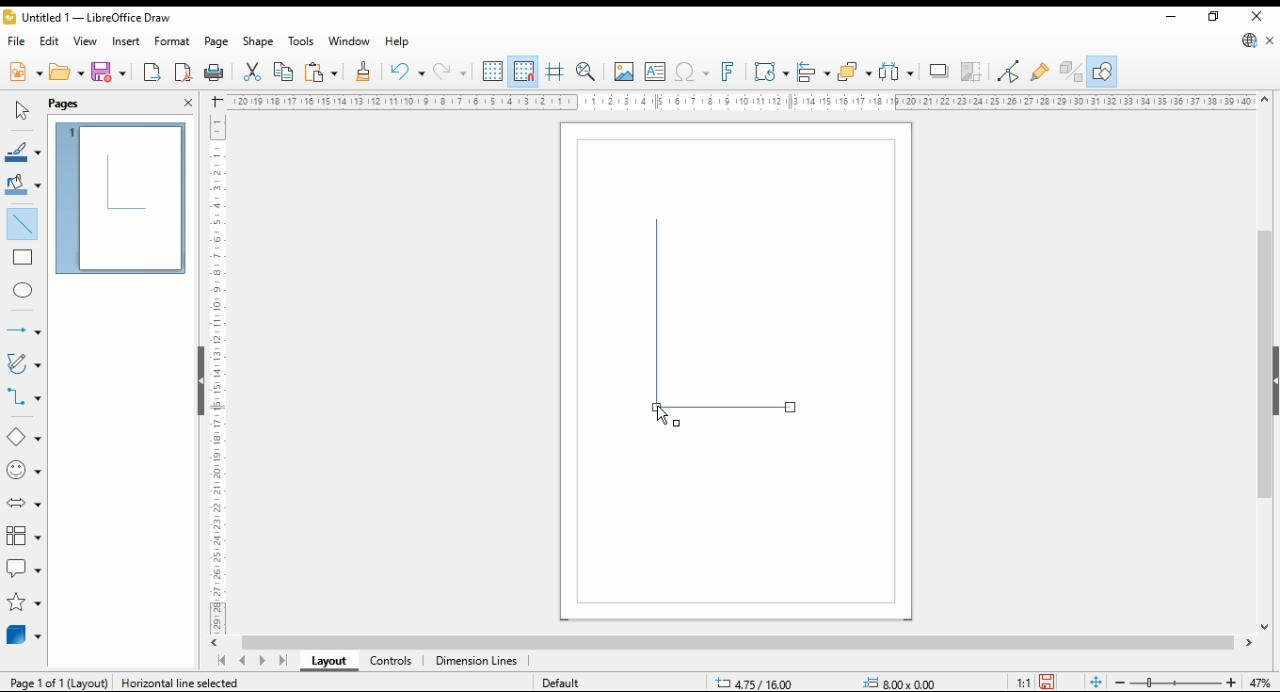  Describe the element at coordinates (198, 379) in the screenshot. I see `scroll bar` at that location.